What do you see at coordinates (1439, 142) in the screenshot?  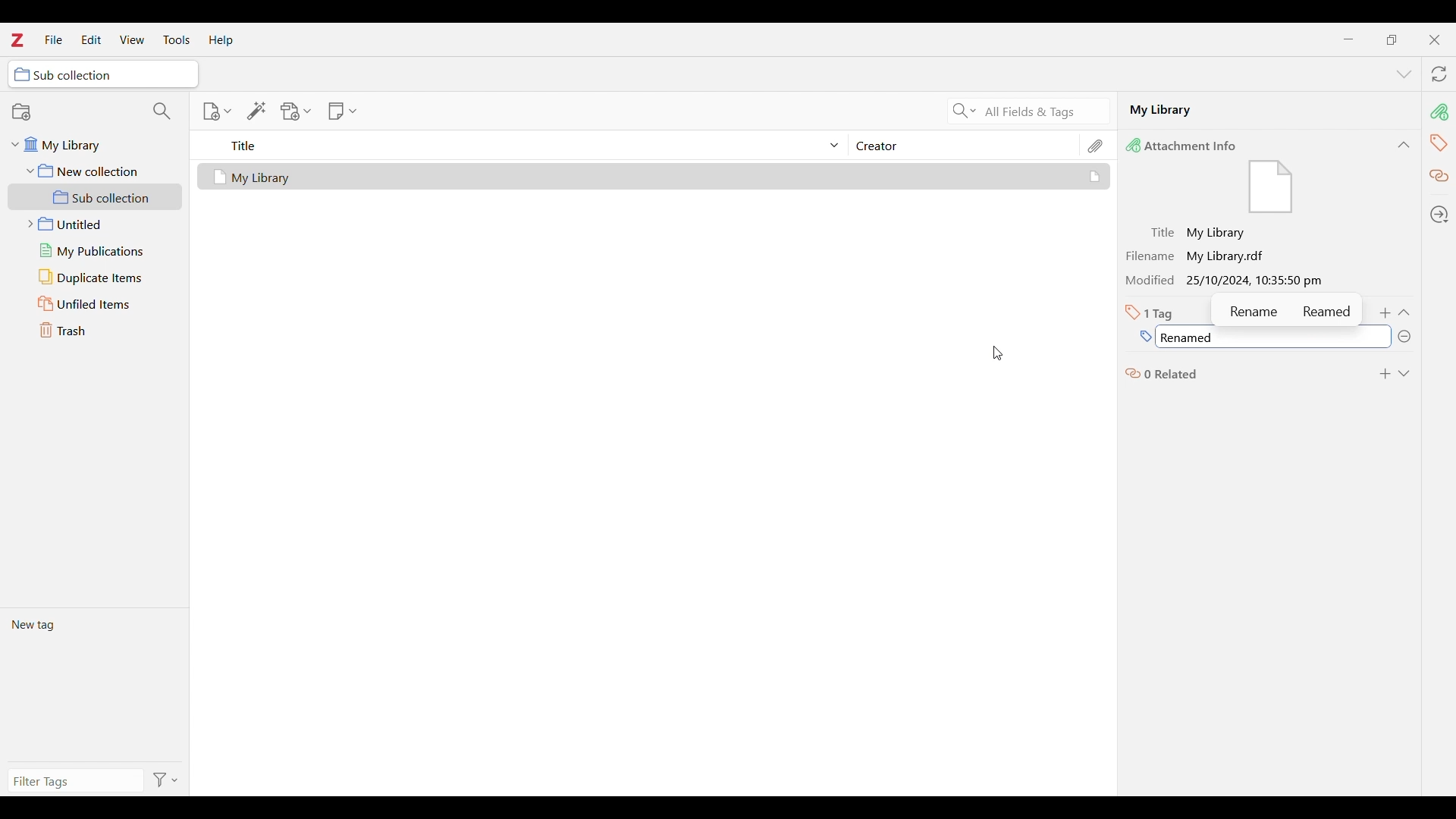 I see `tag` at bounding box center [1439, 142].